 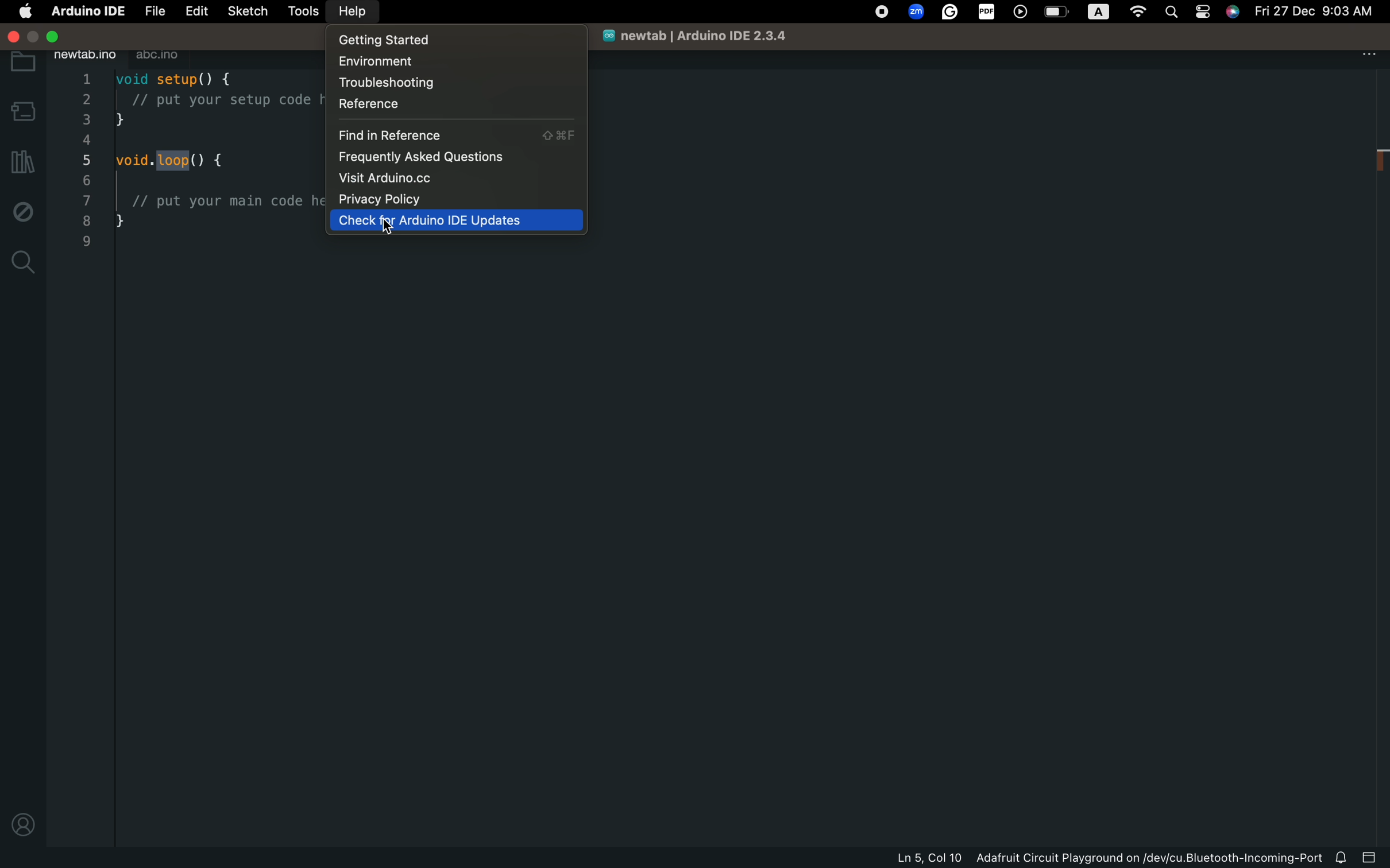 What do you see at coordinates (23, 63) in the screenshot?
I see `folder` at bounding box center [23, 63].